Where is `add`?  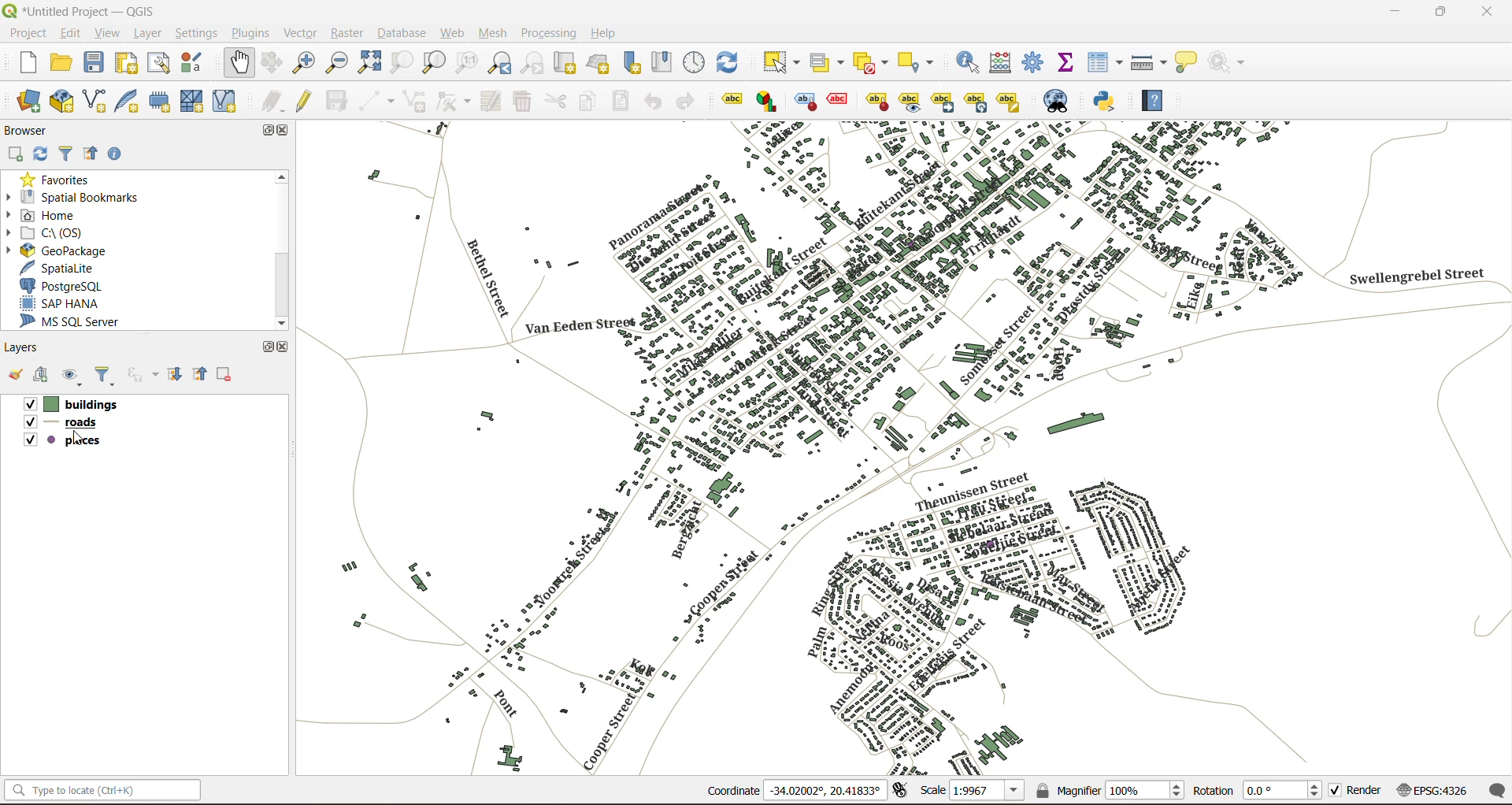 add is located at coordinates (17, 154).